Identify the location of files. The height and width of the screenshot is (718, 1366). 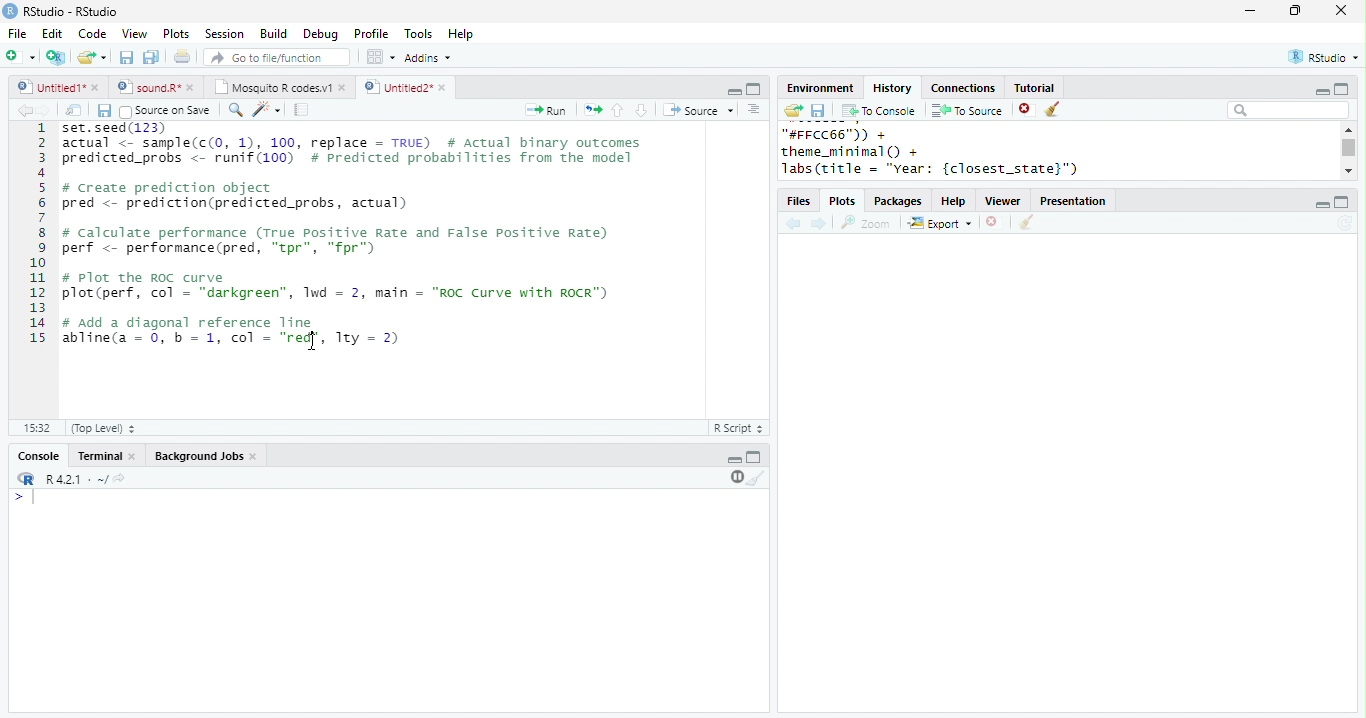
(800, 202).